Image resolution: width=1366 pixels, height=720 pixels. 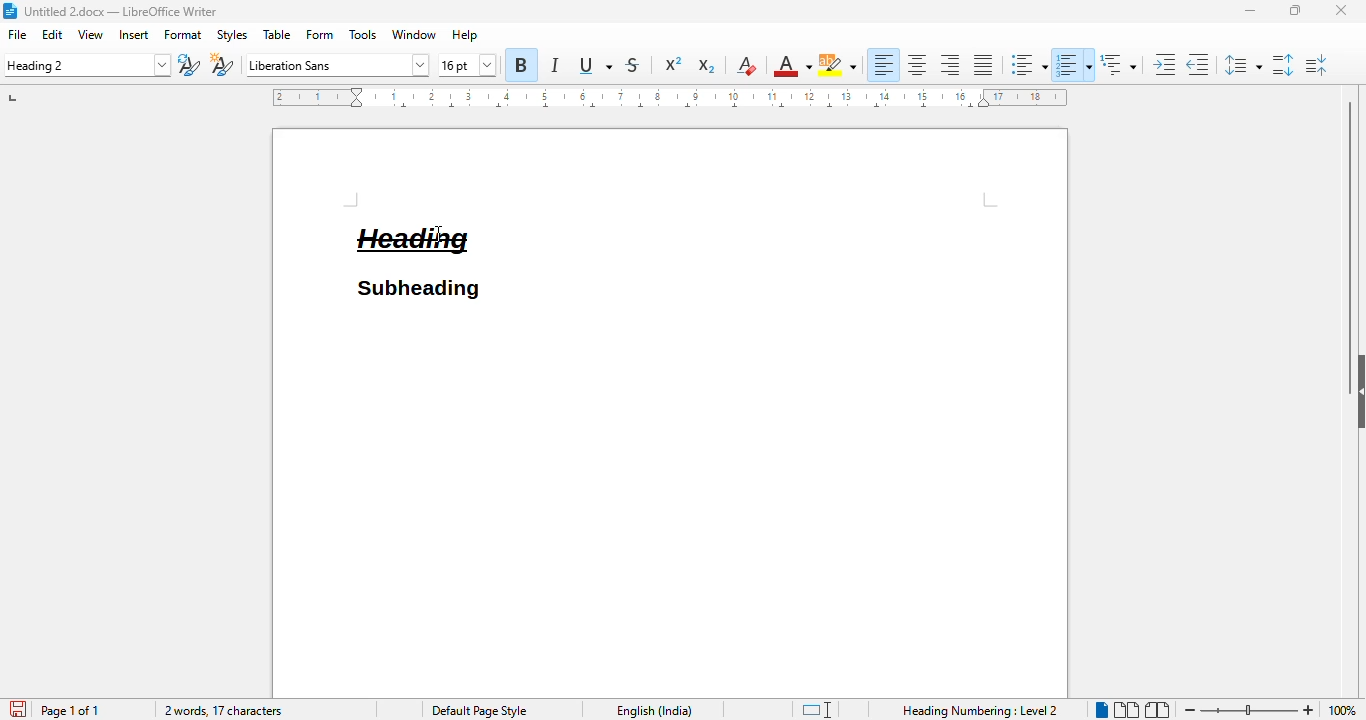 What do you see at coordinates (1344, 710) in the screenshot?
I see `zoom factor` at bounding box center [1344, 710].